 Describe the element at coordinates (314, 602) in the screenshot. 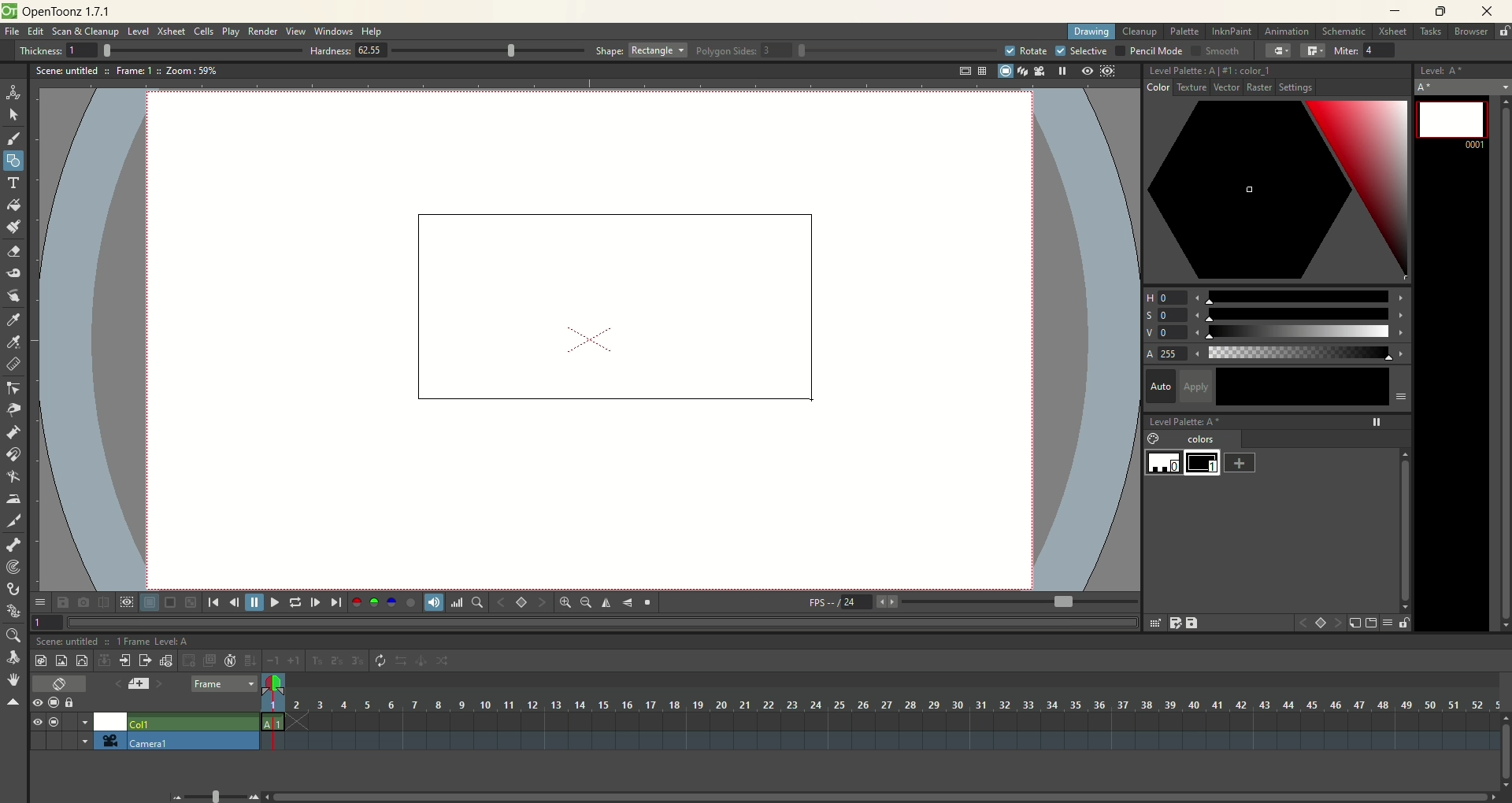

I see `next frame` at that location.